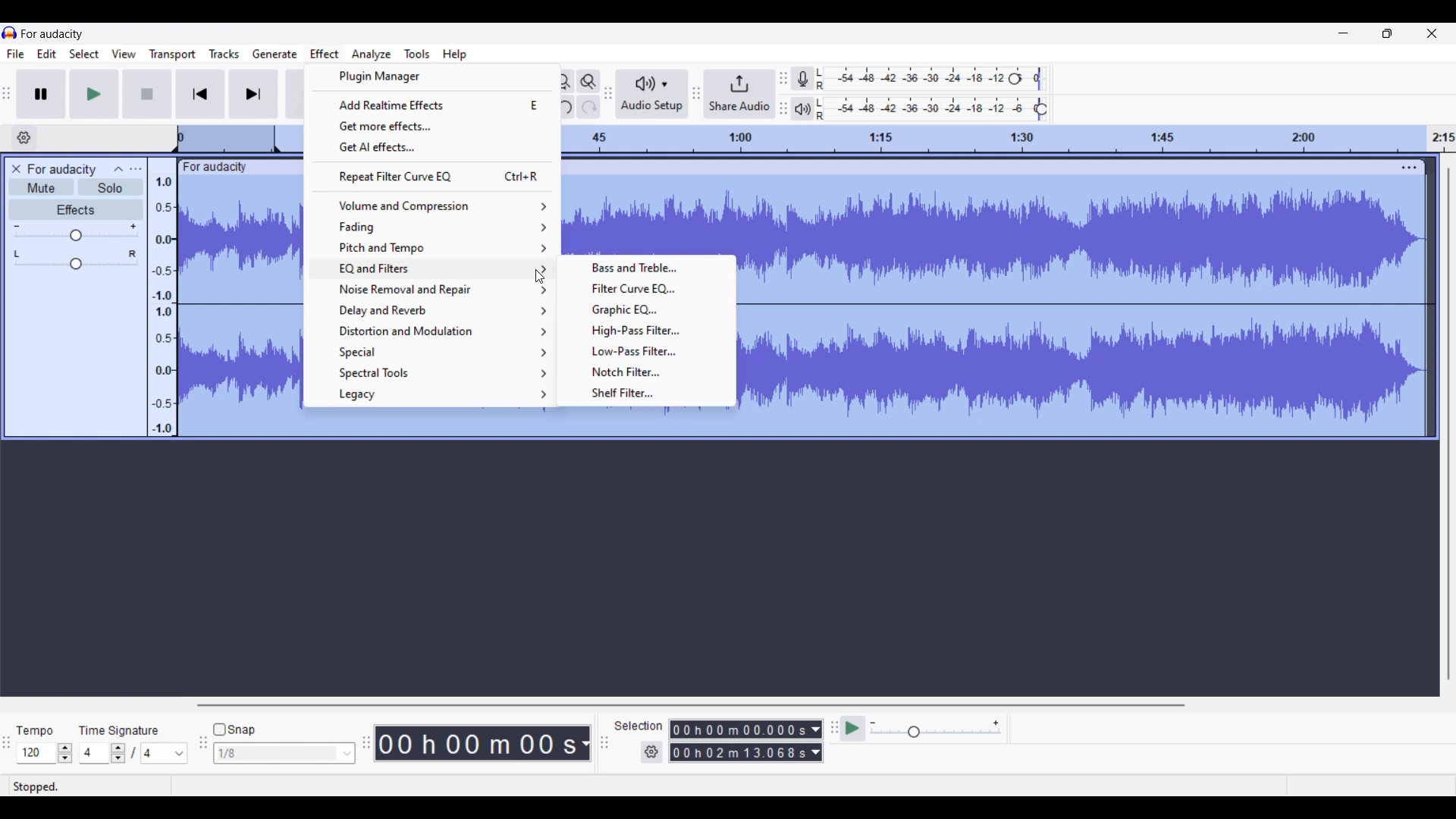  What do you see at coordinates (172, 55) in the screenshot?
I see `Transport menu` at bounding box center [172, 55].